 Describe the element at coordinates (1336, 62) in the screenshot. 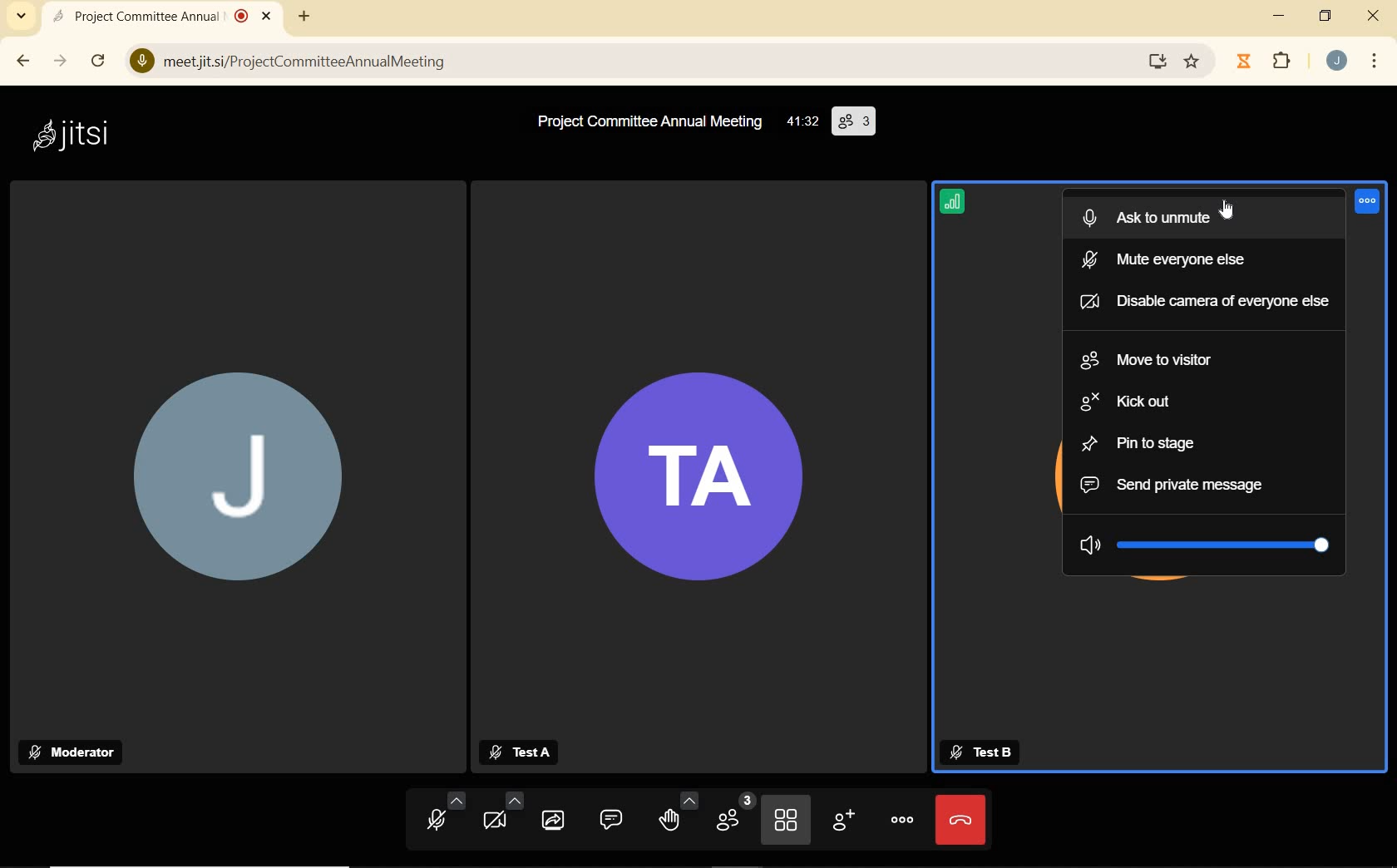

I see `ACCOUNT` at that location.